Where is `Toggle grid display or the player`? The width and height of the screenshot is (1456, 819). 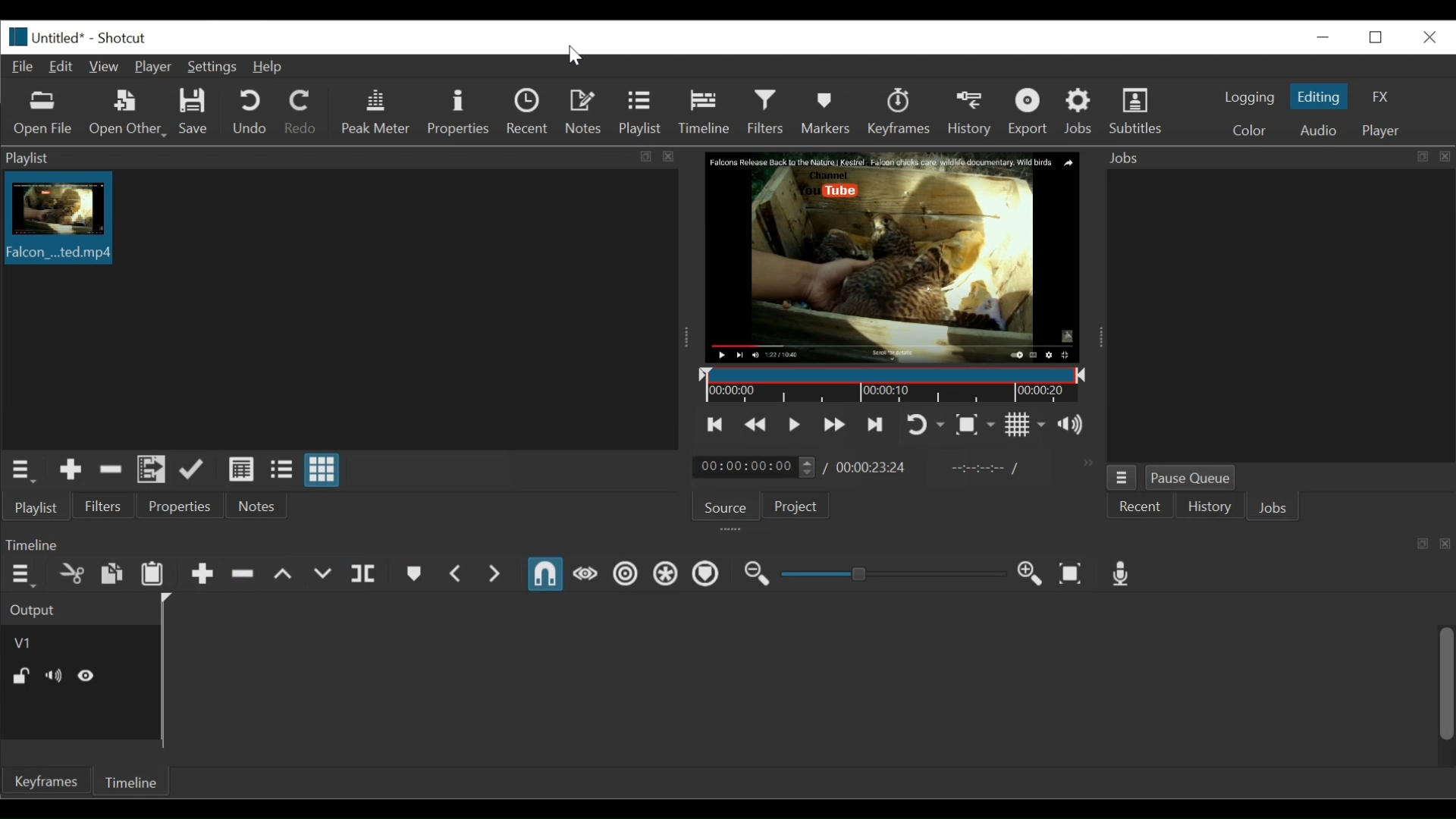 Toggle grid display or the player is located at coordinates (1028, 425).